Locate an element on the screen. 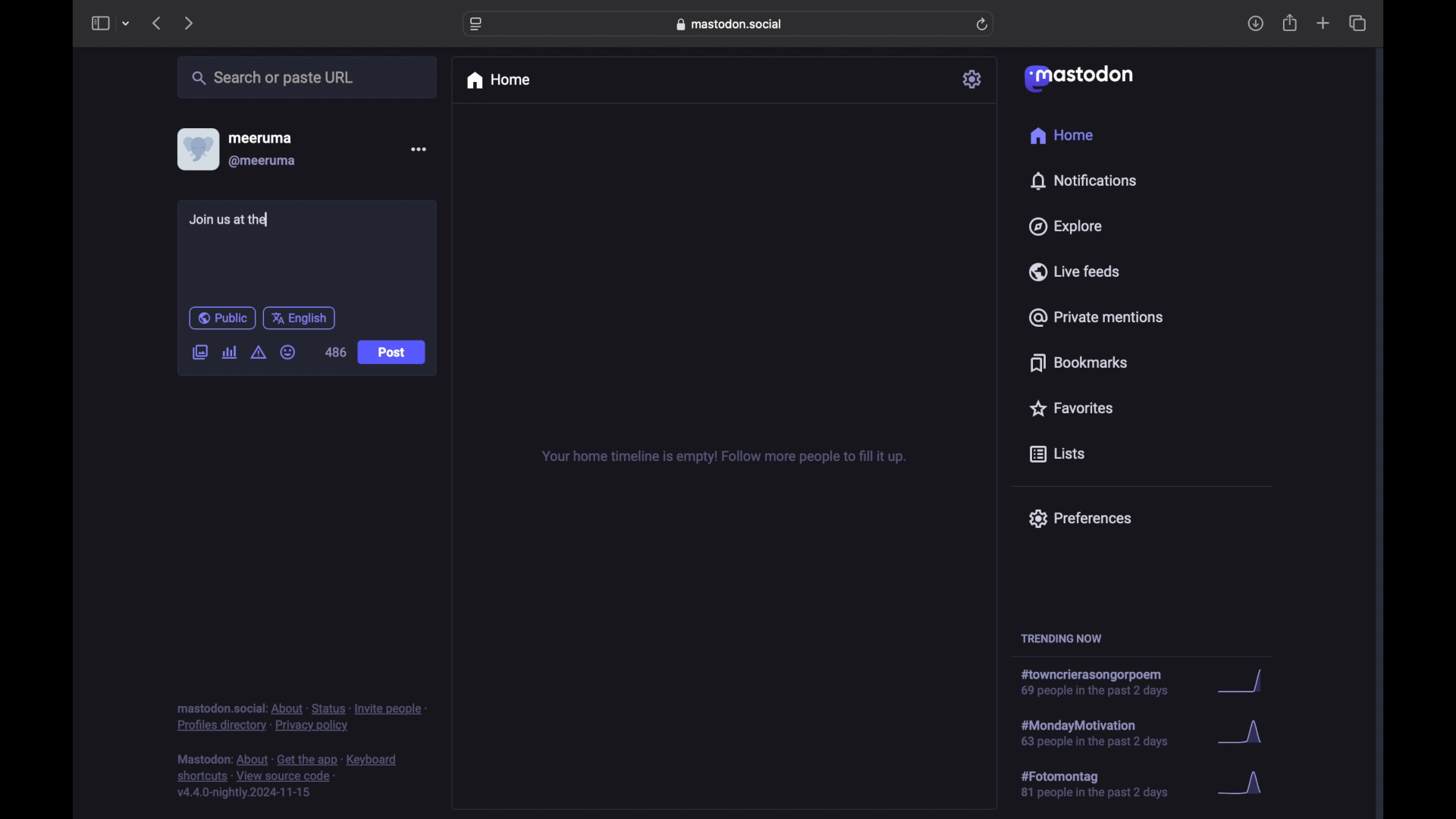 This screenshot has width=1456, height=819. english is located at coordinates (300, 318).